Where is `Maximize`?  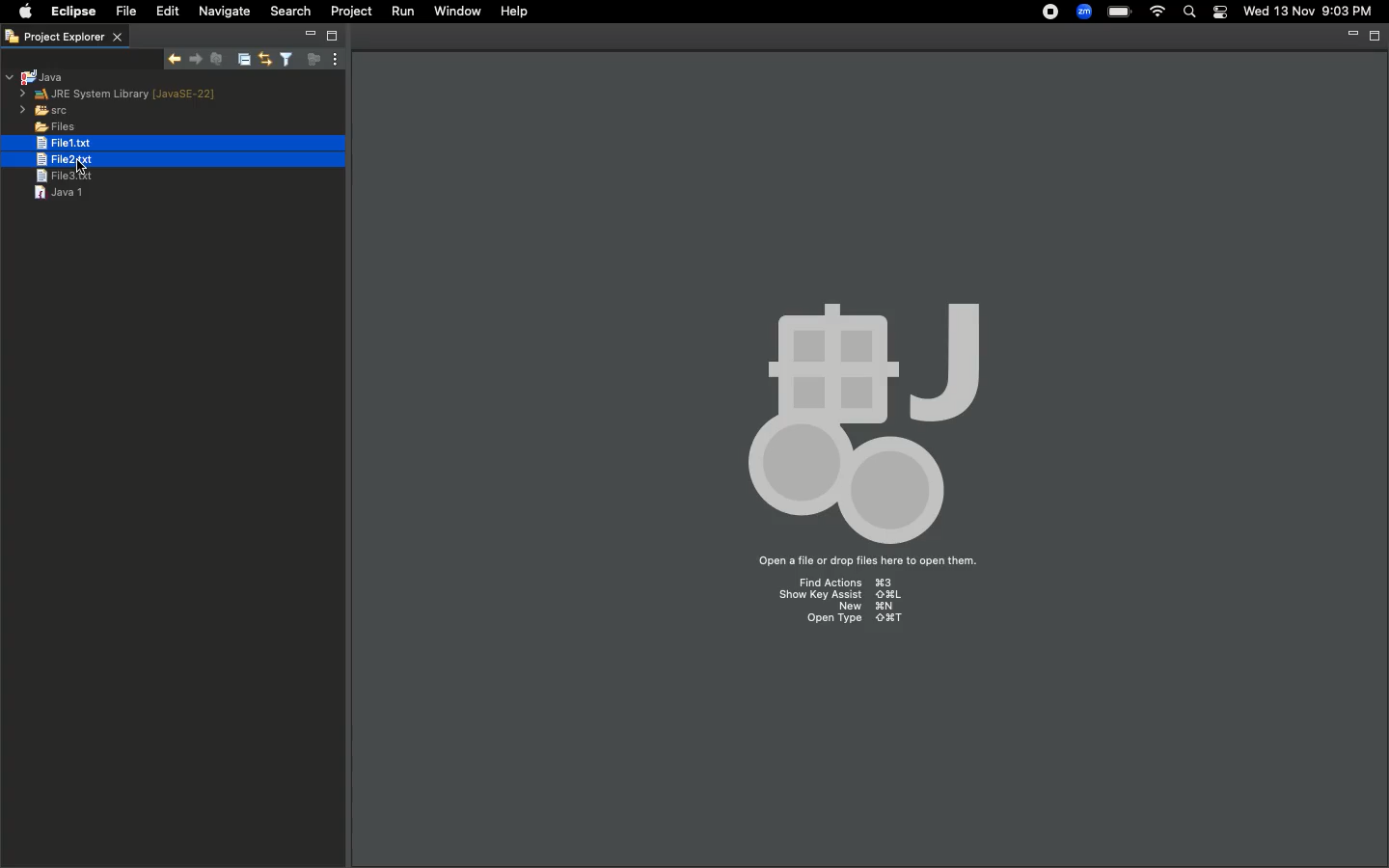 Maximize is located at coordinates (1373, 38).